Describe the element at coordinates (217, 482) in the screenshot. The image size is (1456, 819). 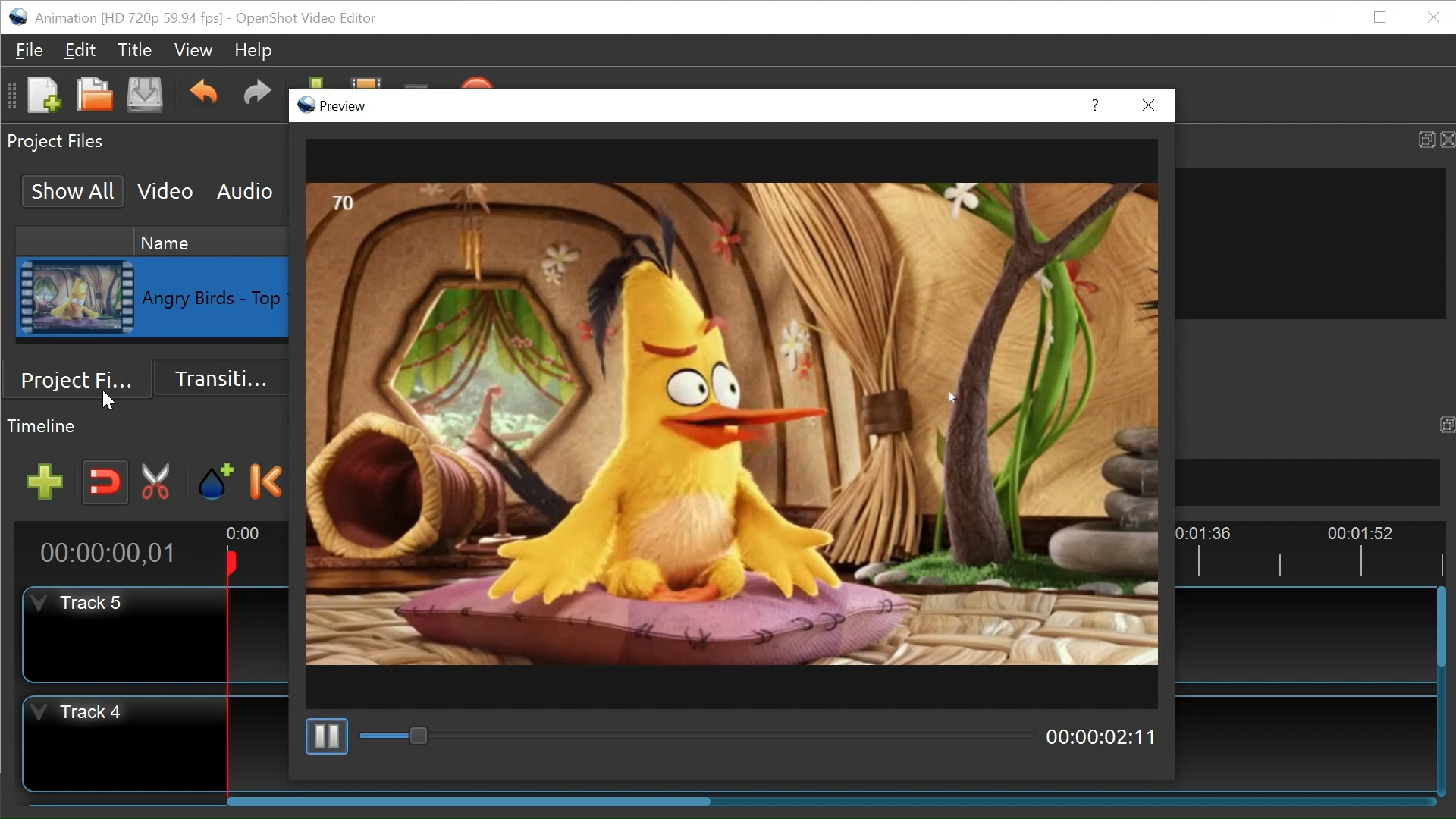
I see `Add Marker` at that location.